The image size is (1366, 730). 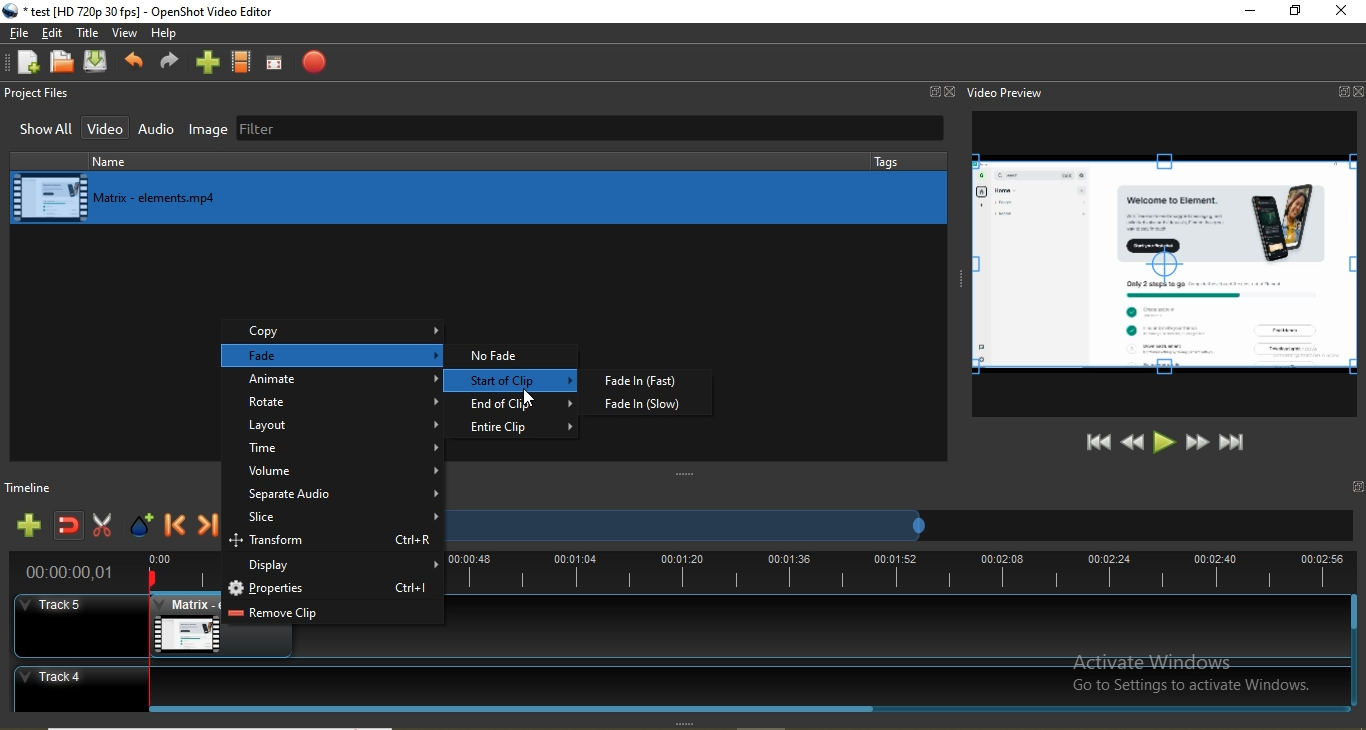 What do you see at coordinates (332, 615) in the screenshot?
I see `remove clip` at bounding box center [332, 615].